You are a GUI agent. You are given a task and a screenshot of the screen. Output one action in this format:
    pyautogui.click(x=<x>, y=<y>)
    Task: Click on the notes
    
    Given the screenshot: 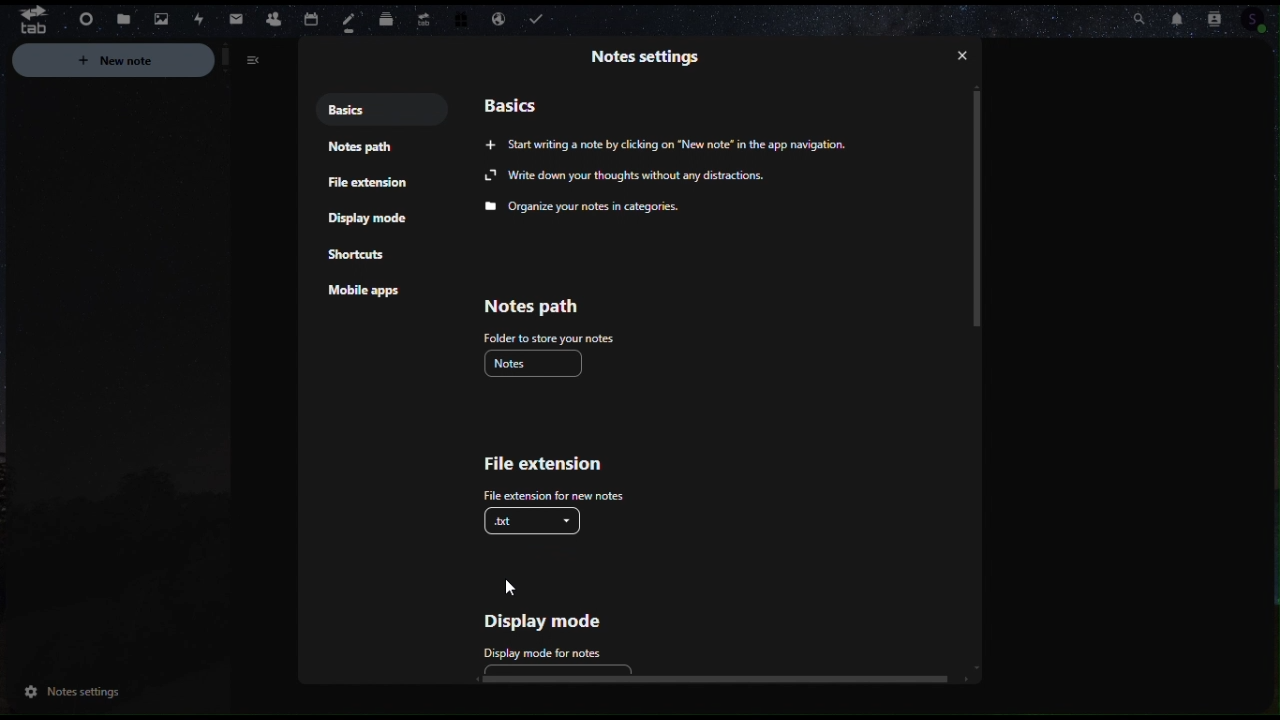 What is the action you would take?
    pyautogui.click(x=538, y=363)
    